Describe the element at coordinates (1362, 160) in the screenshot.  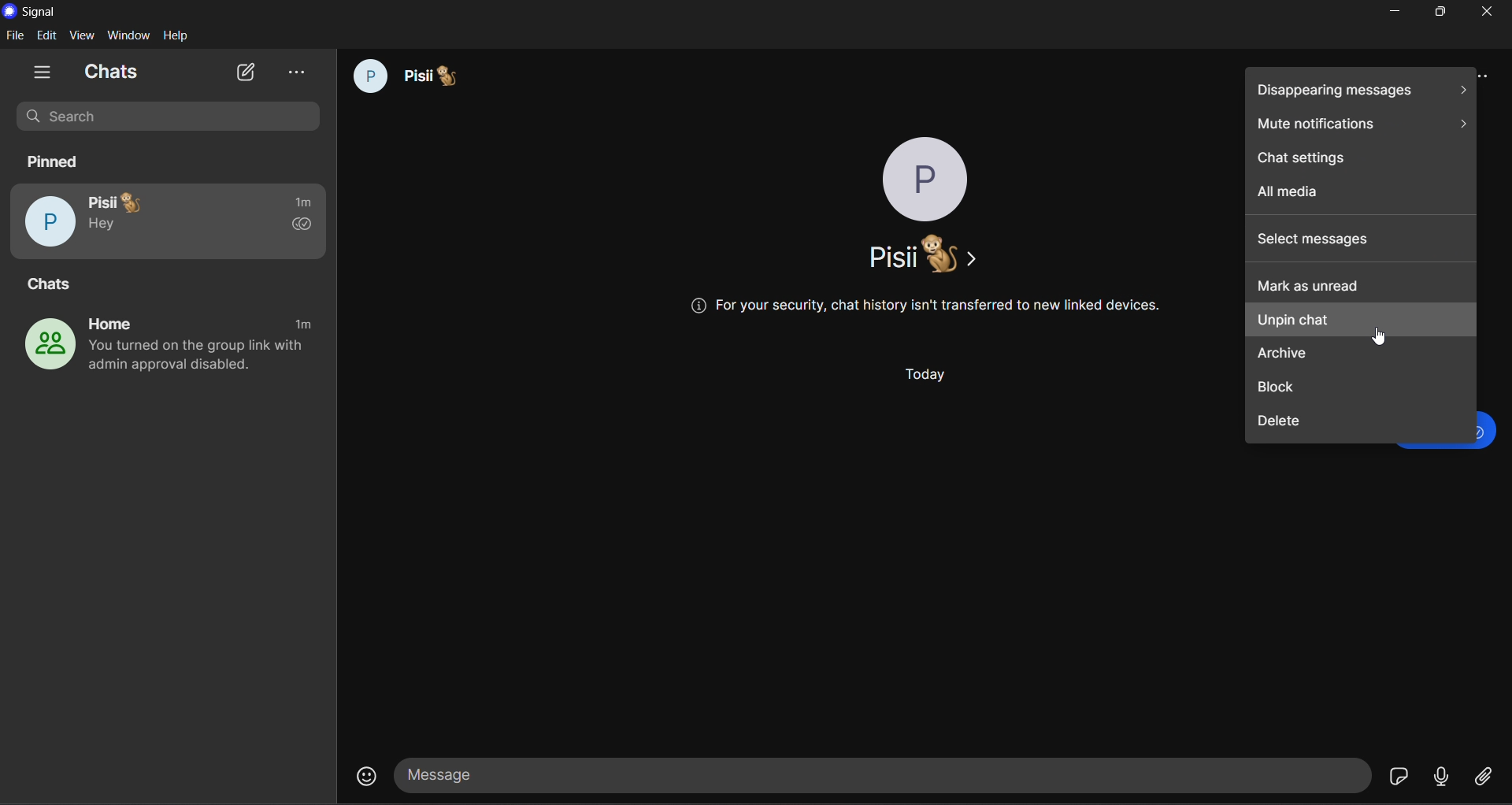
I see `chat settings` at that location.